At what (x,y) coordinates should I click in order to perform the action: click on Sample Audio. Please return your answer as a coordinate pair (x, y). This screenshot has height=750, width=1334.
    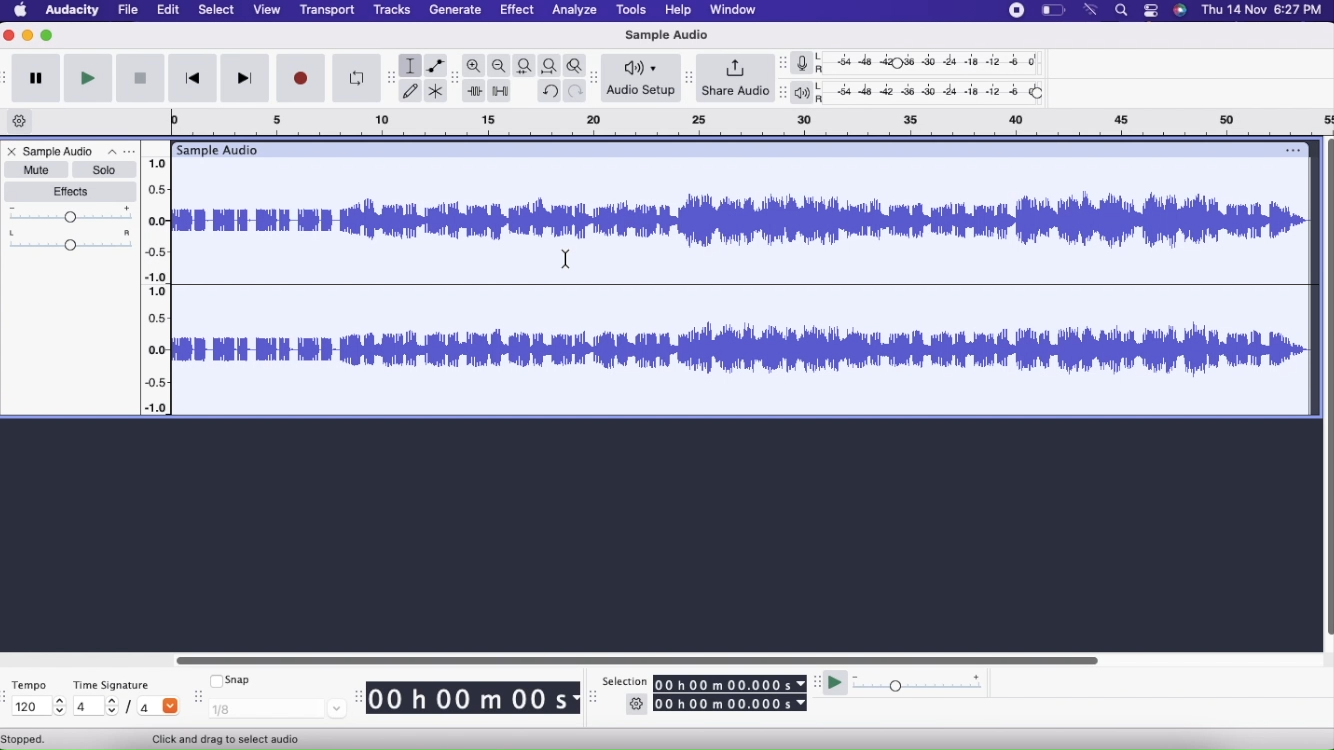
    Looking at the image, I should click on (222, 149).